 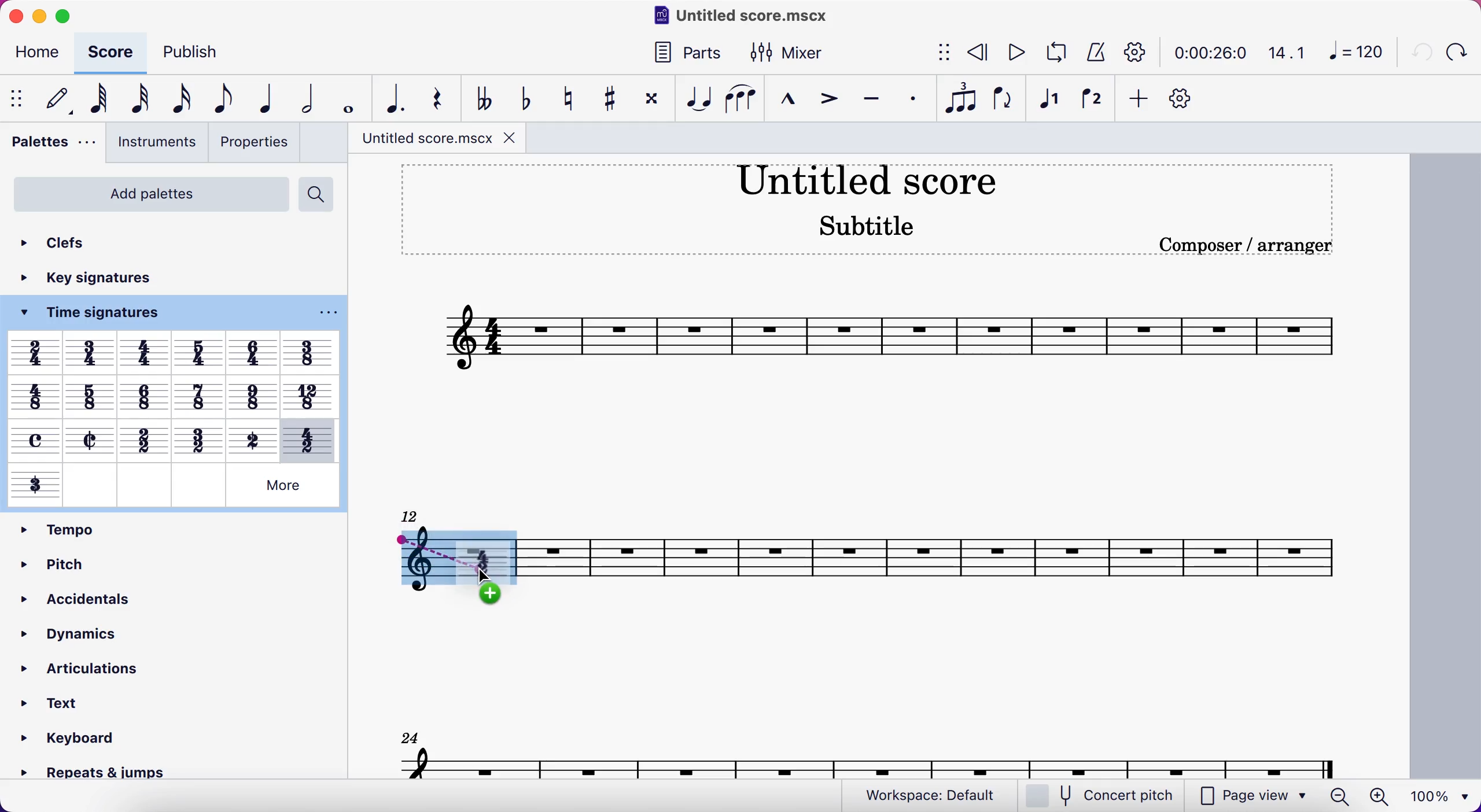 What do you see at coordinates (1001, 98) in the screenshot?
I see `flip direction` at bounding box center [1001, 98].